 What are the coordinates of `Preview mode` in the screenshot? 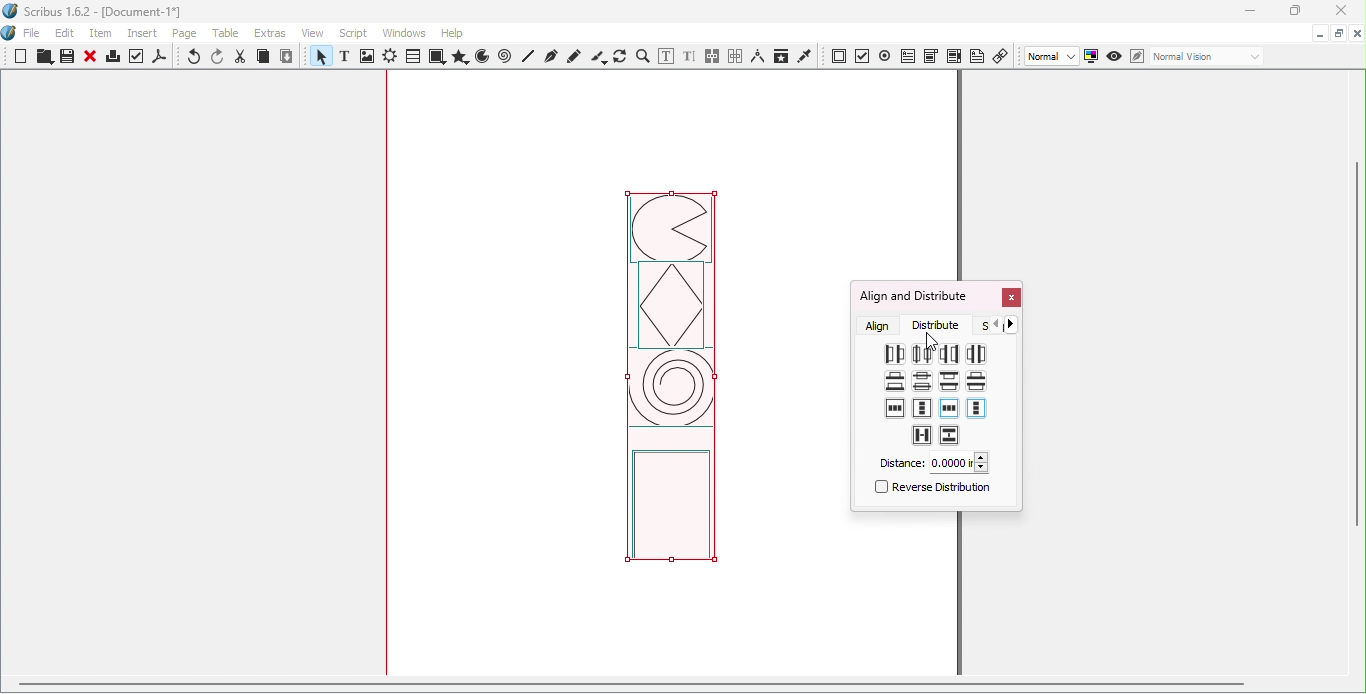 It's located at (1115, 57).